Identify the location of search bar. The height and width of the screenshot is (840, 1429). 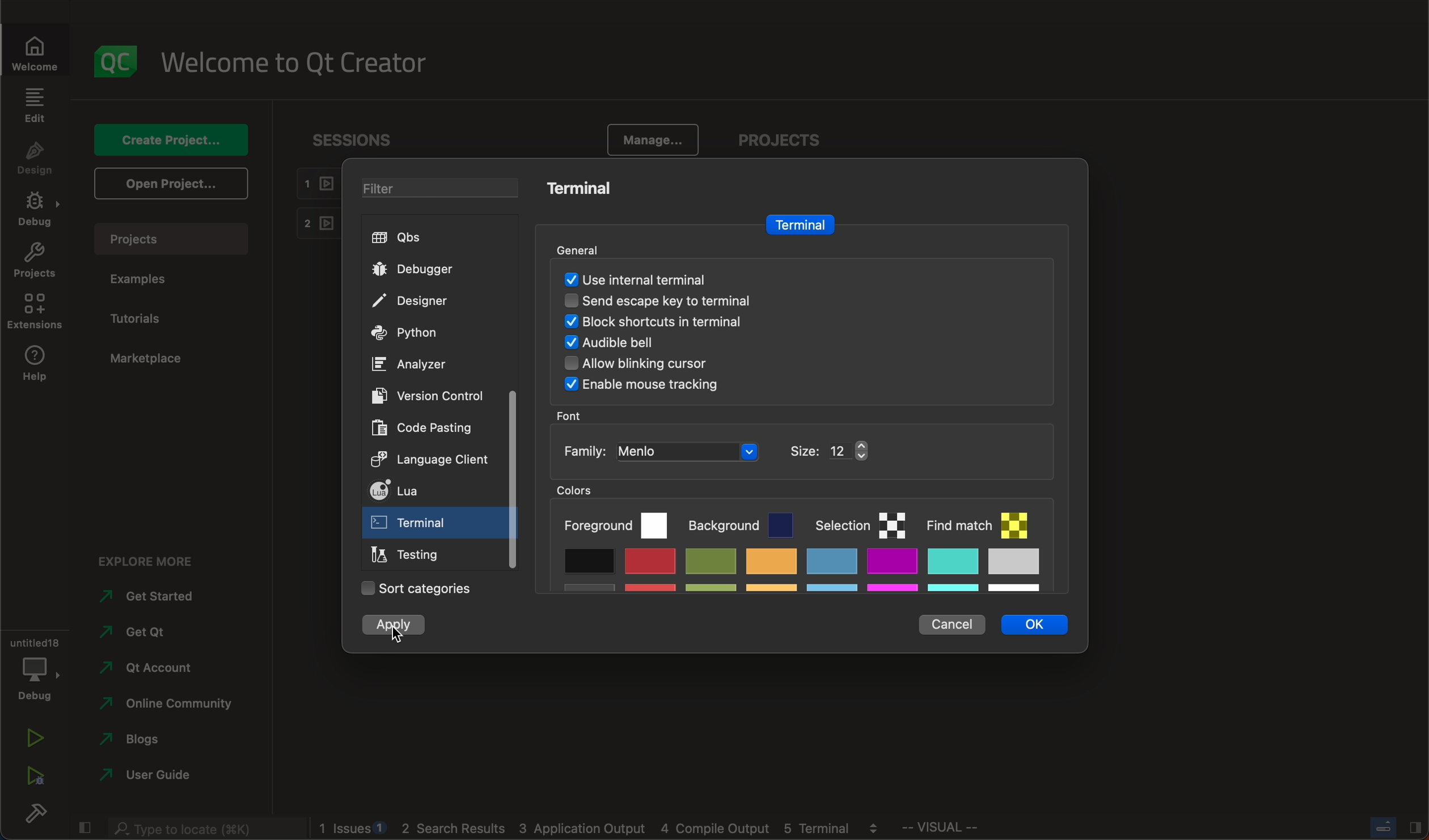
(198, 828).